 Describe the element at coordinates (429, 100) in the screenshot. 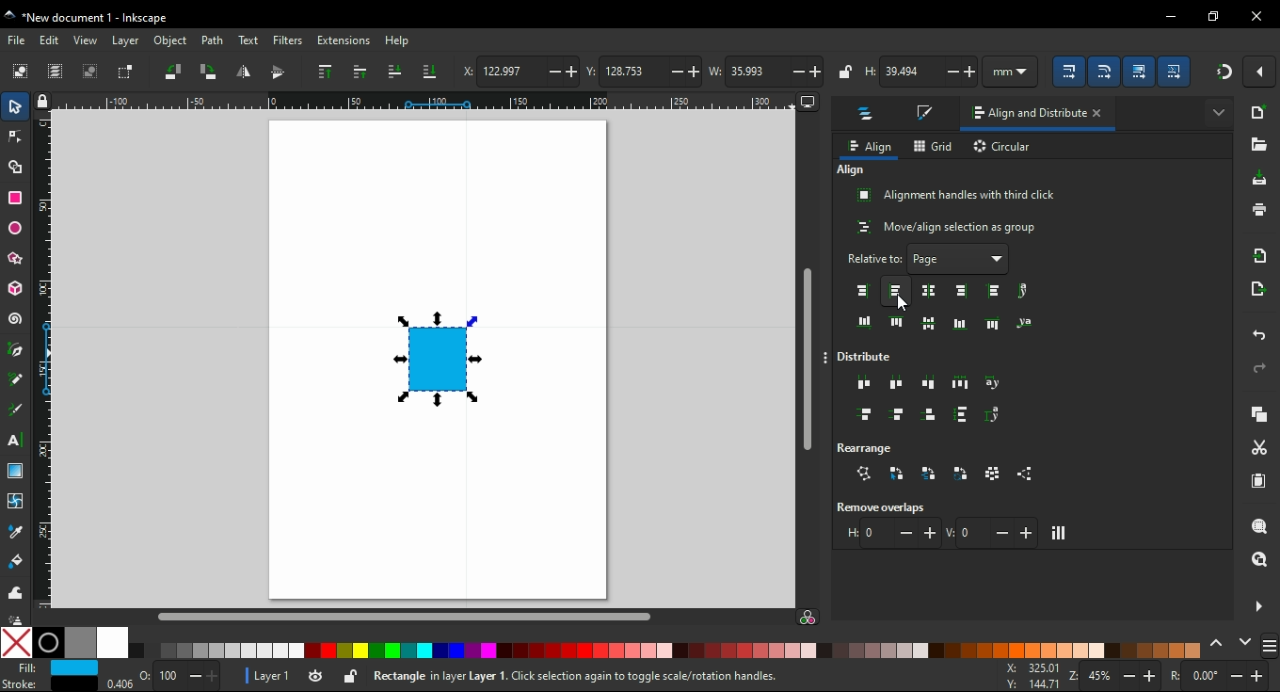

I see `Horizontal ruler` at that location.